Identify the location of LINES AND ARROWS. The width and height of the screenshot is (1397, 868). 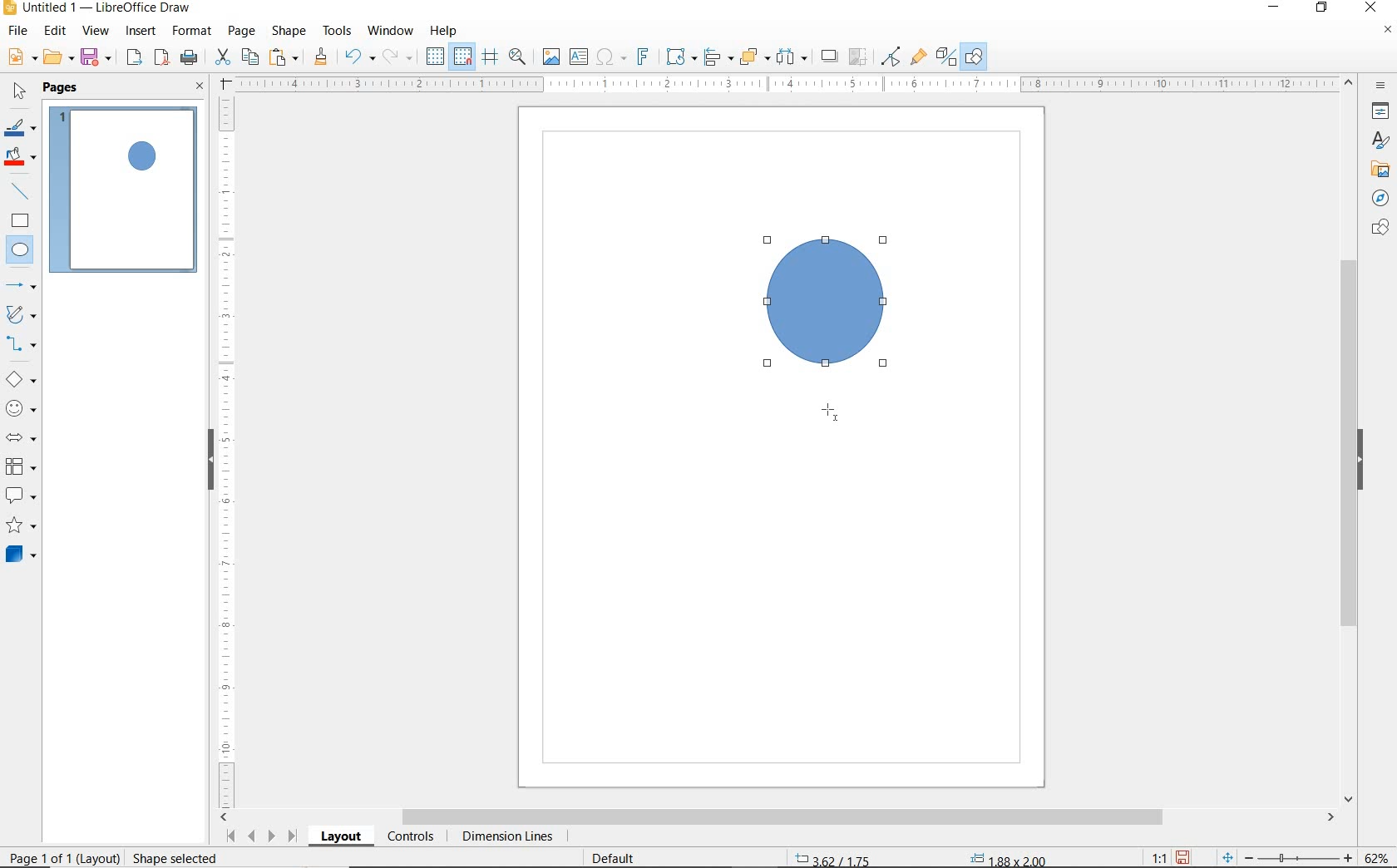
(22, 287).